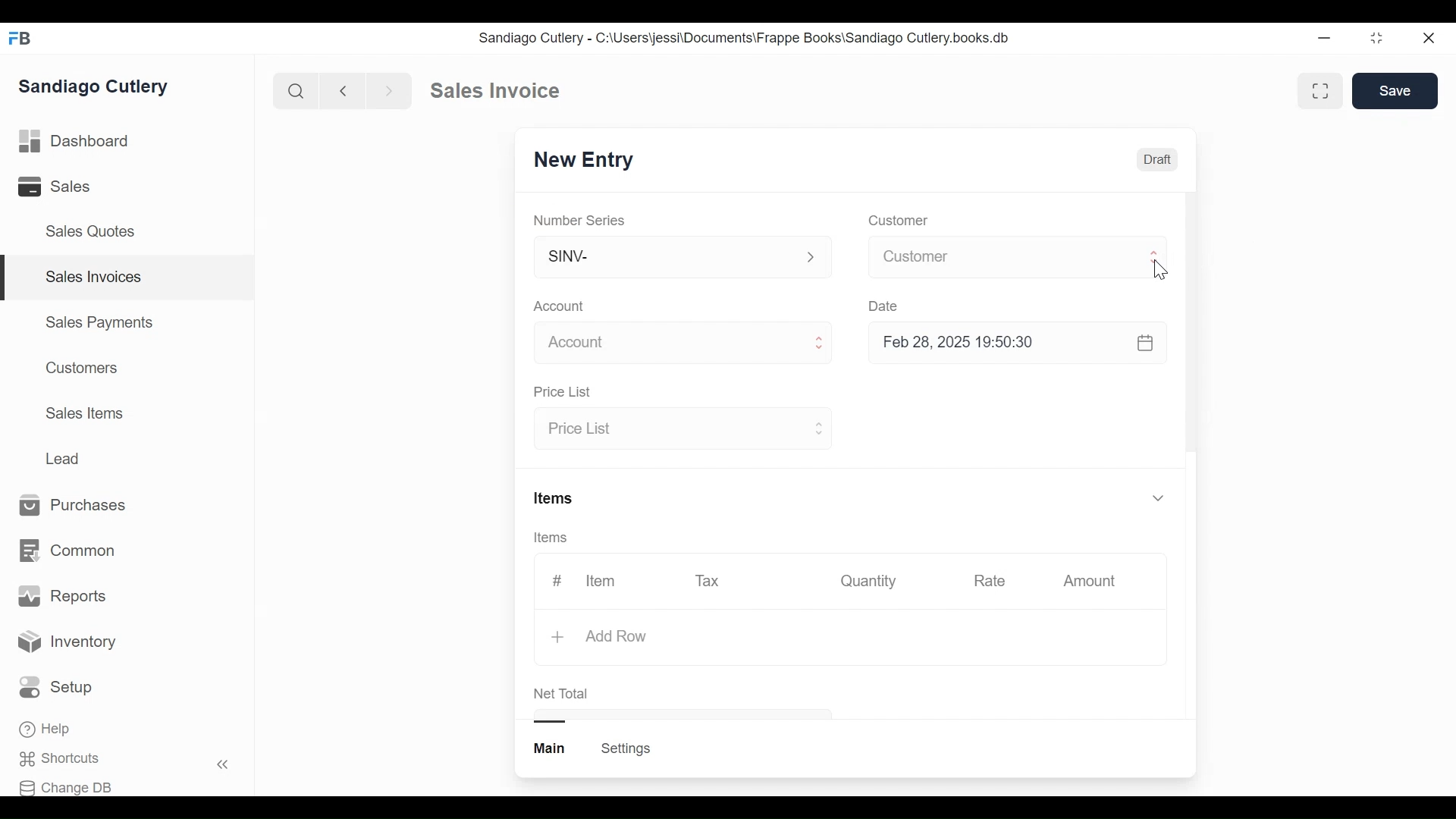  What do you see at coordinates (62, 596) in the screenshot?
I see `Reports` at bounding box center [62, 596].